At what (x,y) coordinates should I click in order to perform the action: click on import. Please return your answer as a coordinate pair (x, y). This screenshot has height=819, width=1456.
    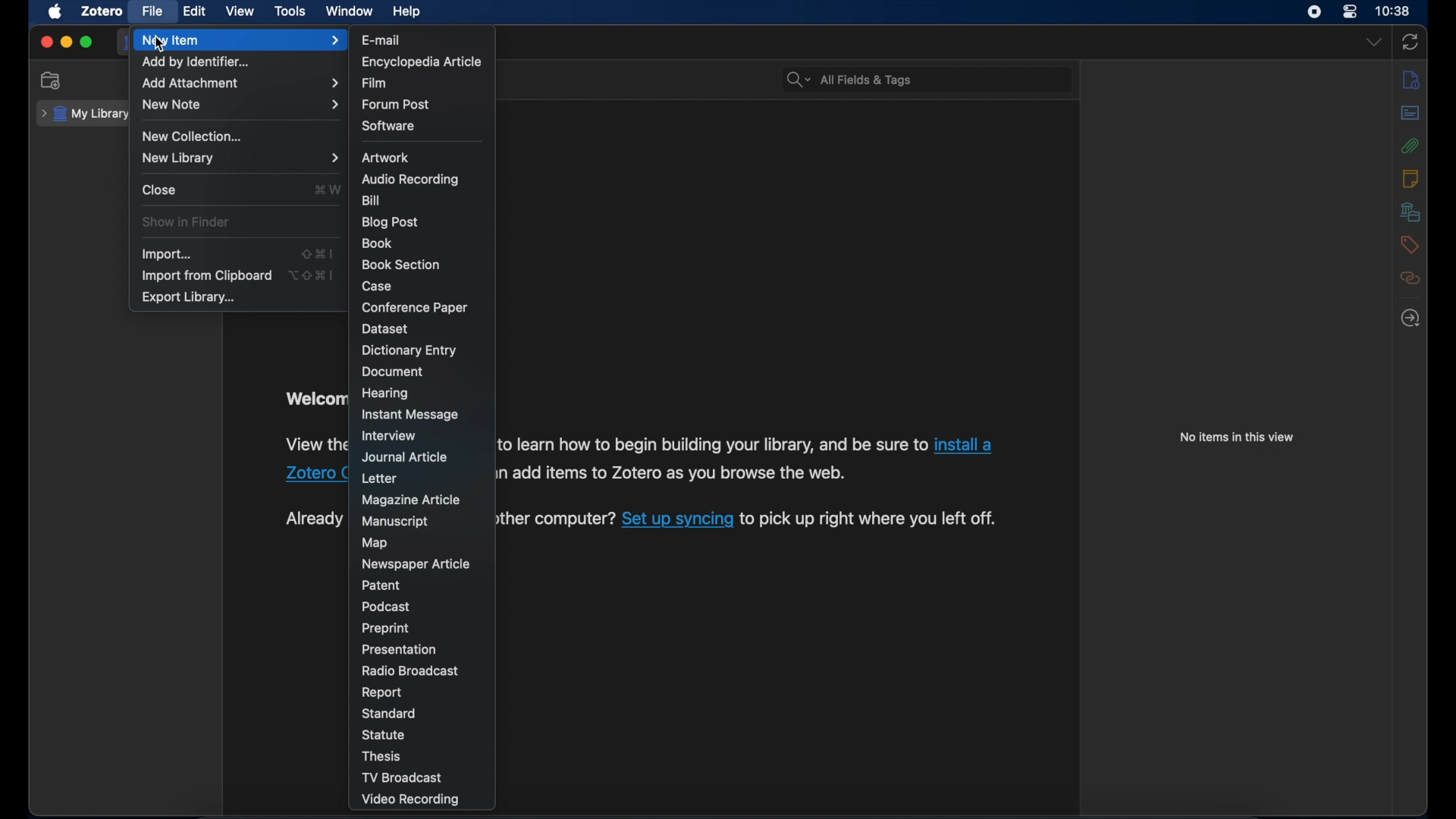
    Looking at the image, I should click on (167, 254).